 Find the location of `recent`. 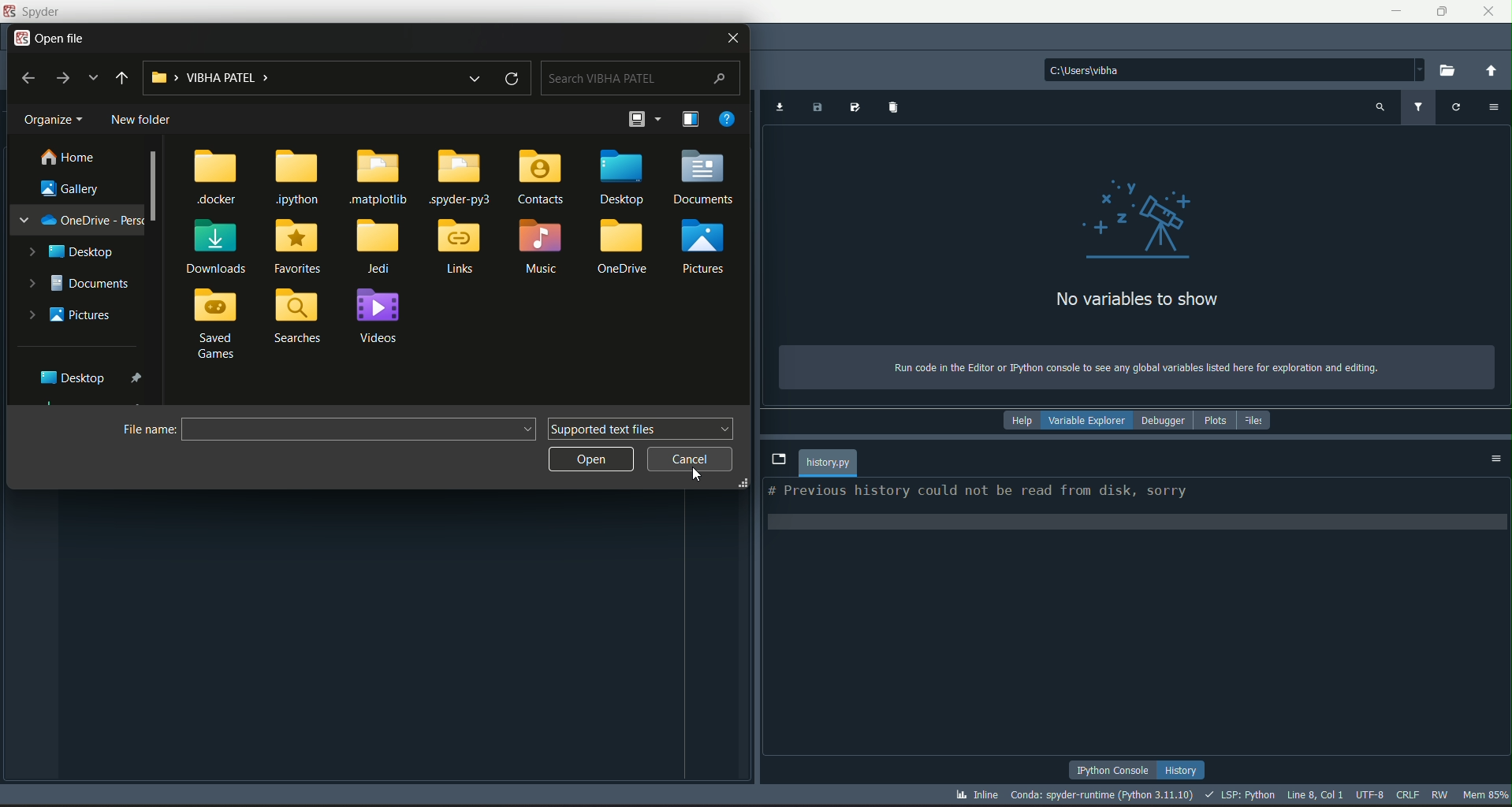

recent is located at coordinates (92, 78).